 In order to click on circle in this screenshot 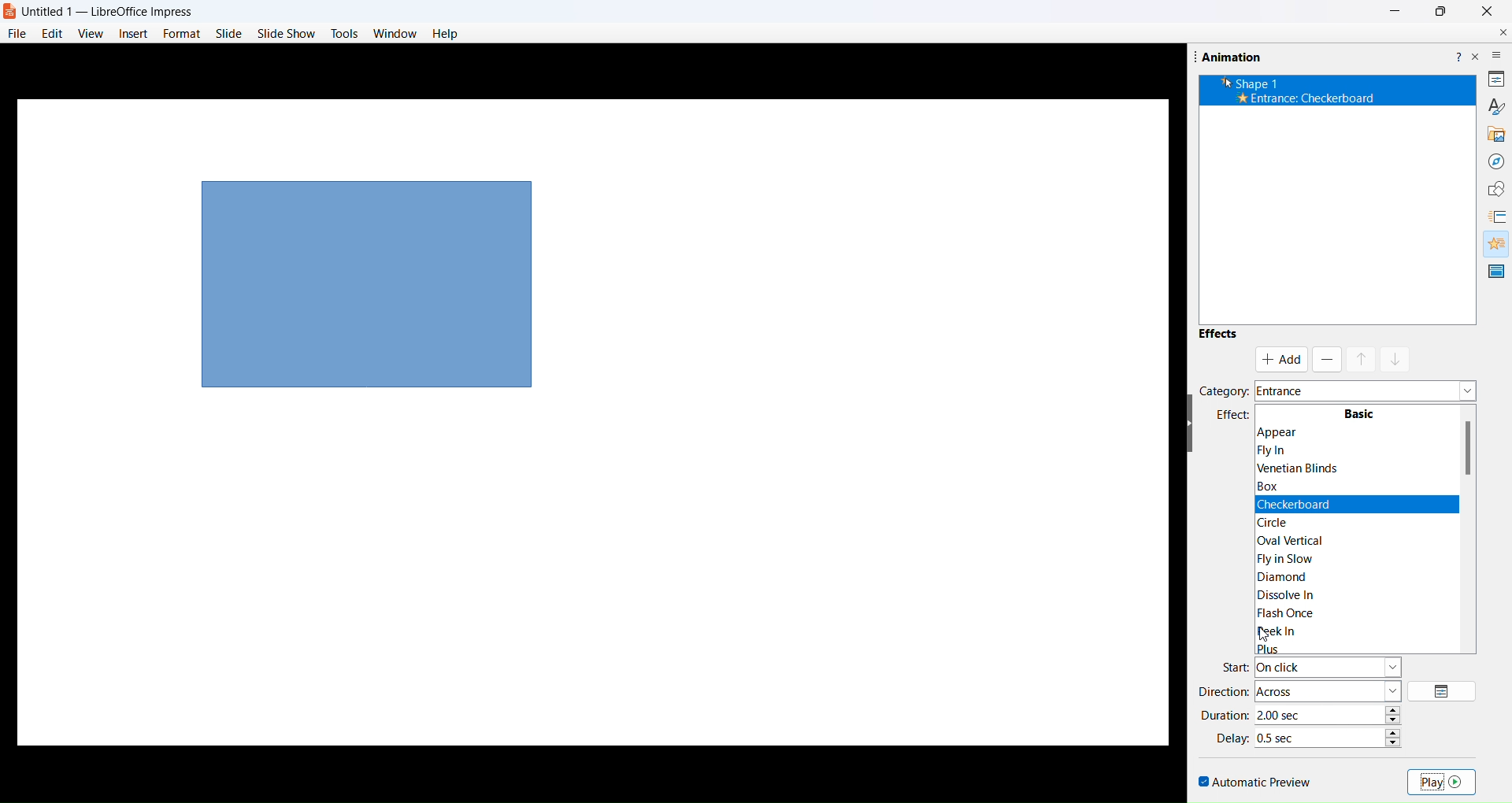, I will do `click(1279, 522)`.